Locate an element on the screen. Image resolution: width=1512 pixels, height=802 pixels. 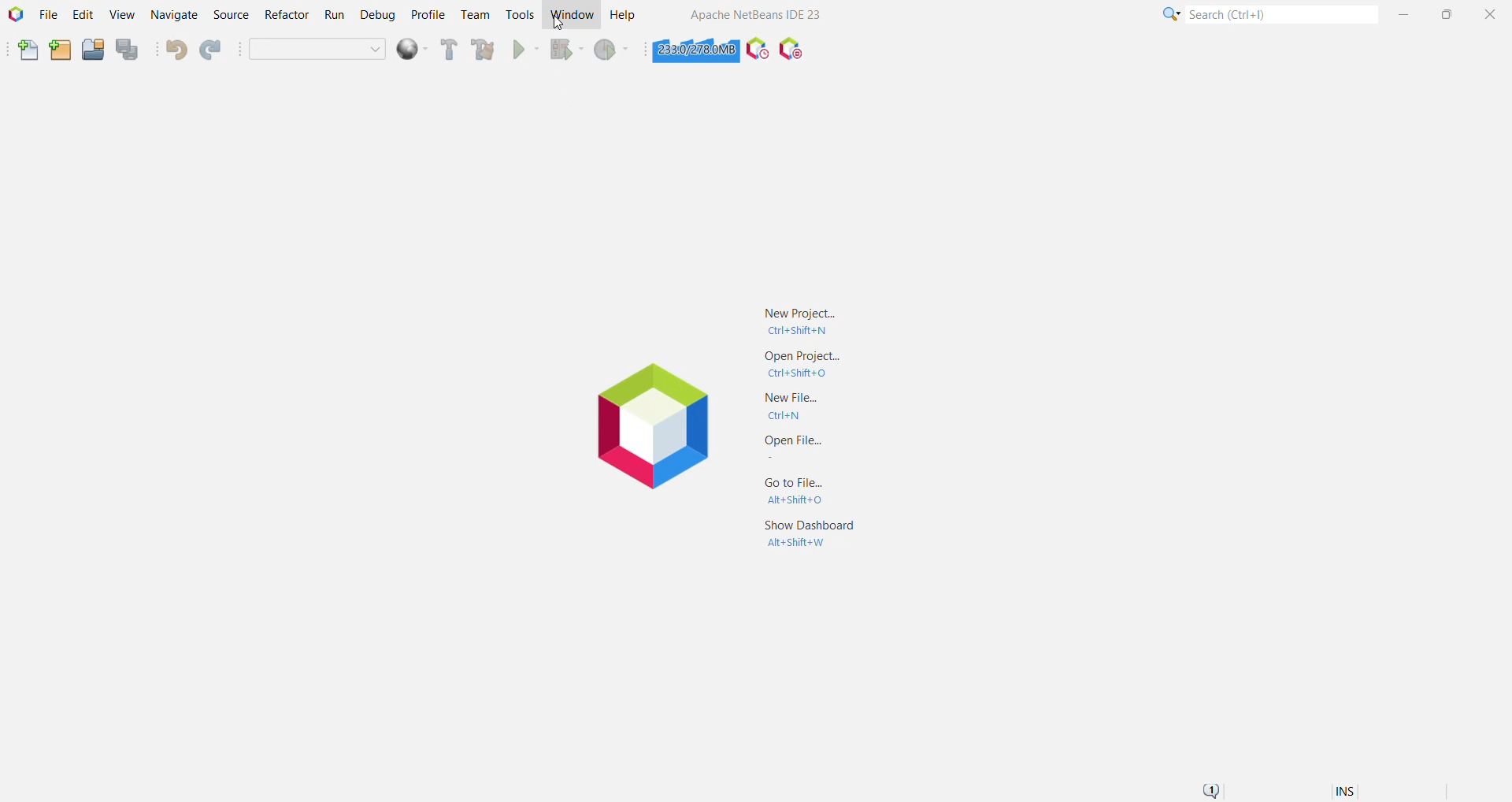
Profile the IDE is located at coordinates (758, 51).